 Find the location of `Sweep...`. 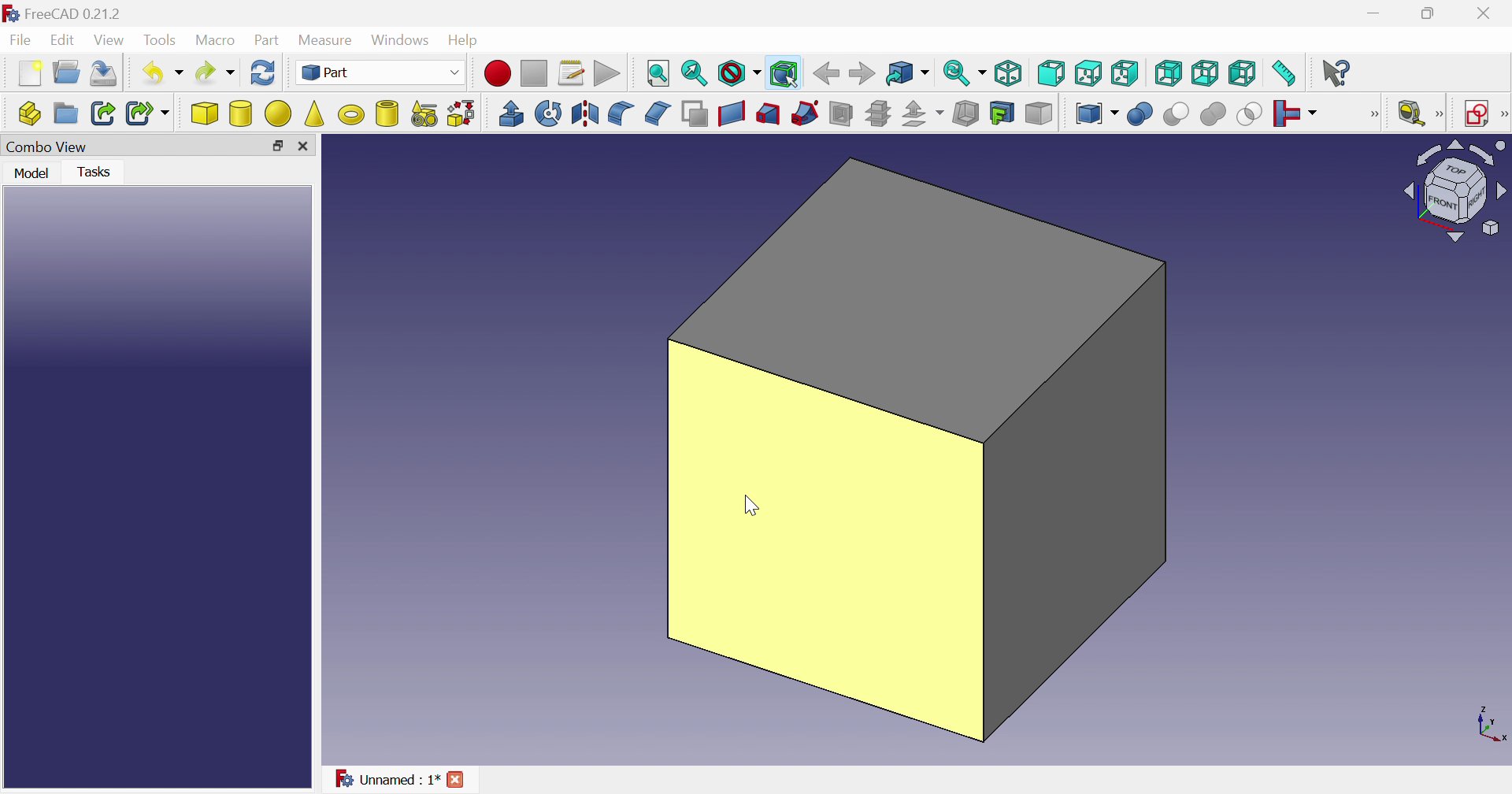

Sweep... is located at coordinates (805, 113).